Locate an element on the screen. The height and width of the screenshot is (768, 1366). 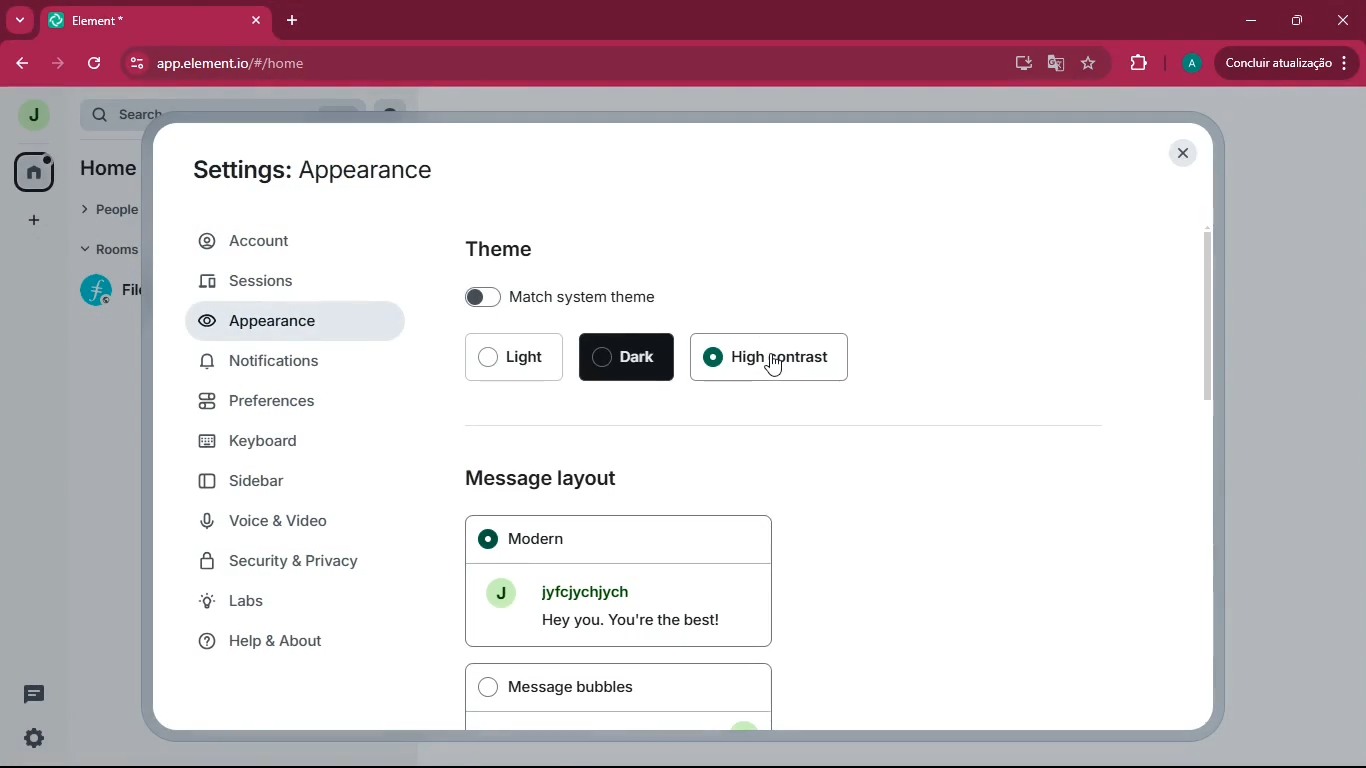
minimize is located at coordinates (1246, 18).